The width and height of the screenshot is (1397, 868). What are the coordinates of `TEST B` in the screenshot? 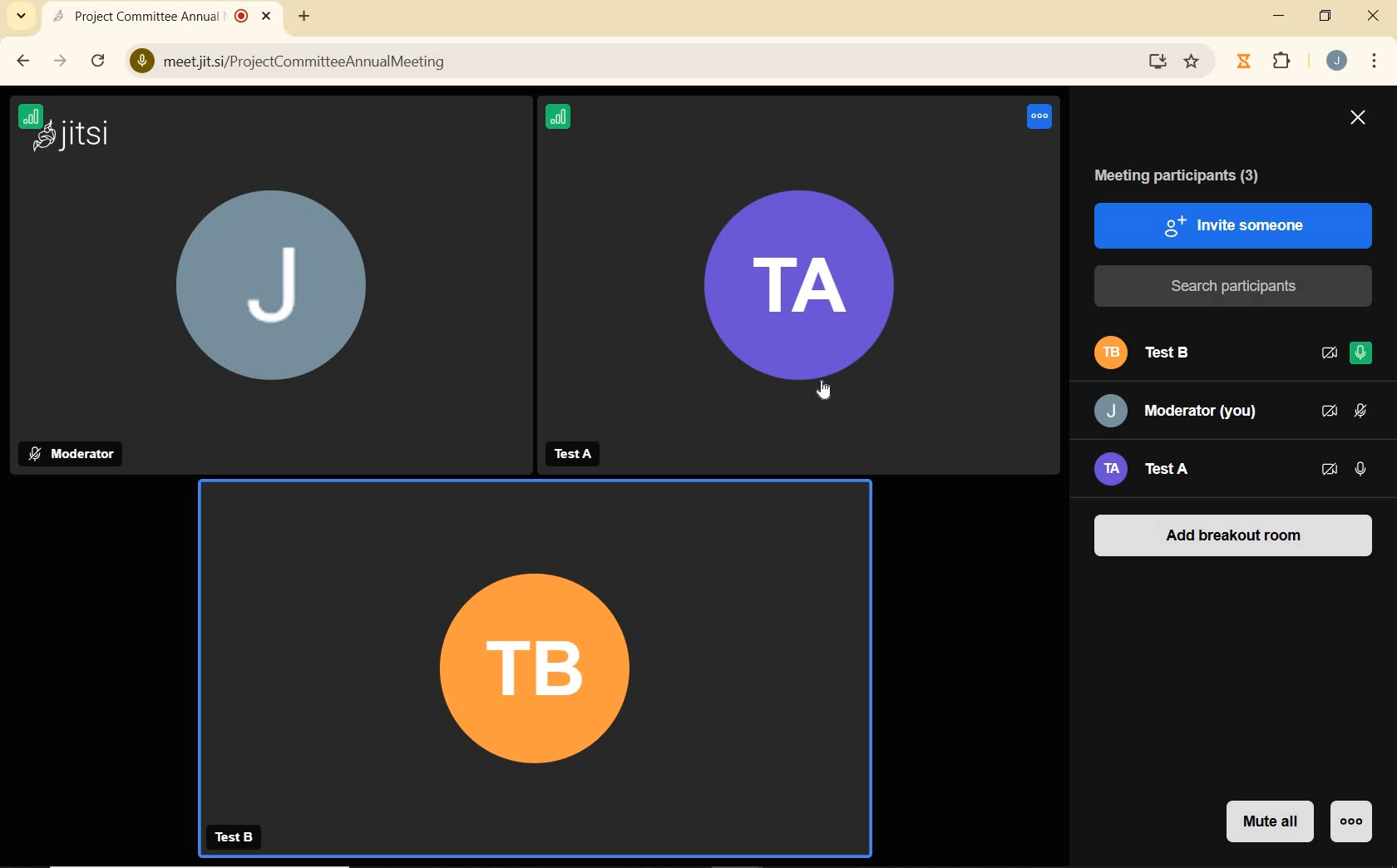 It's located at (237, 837).